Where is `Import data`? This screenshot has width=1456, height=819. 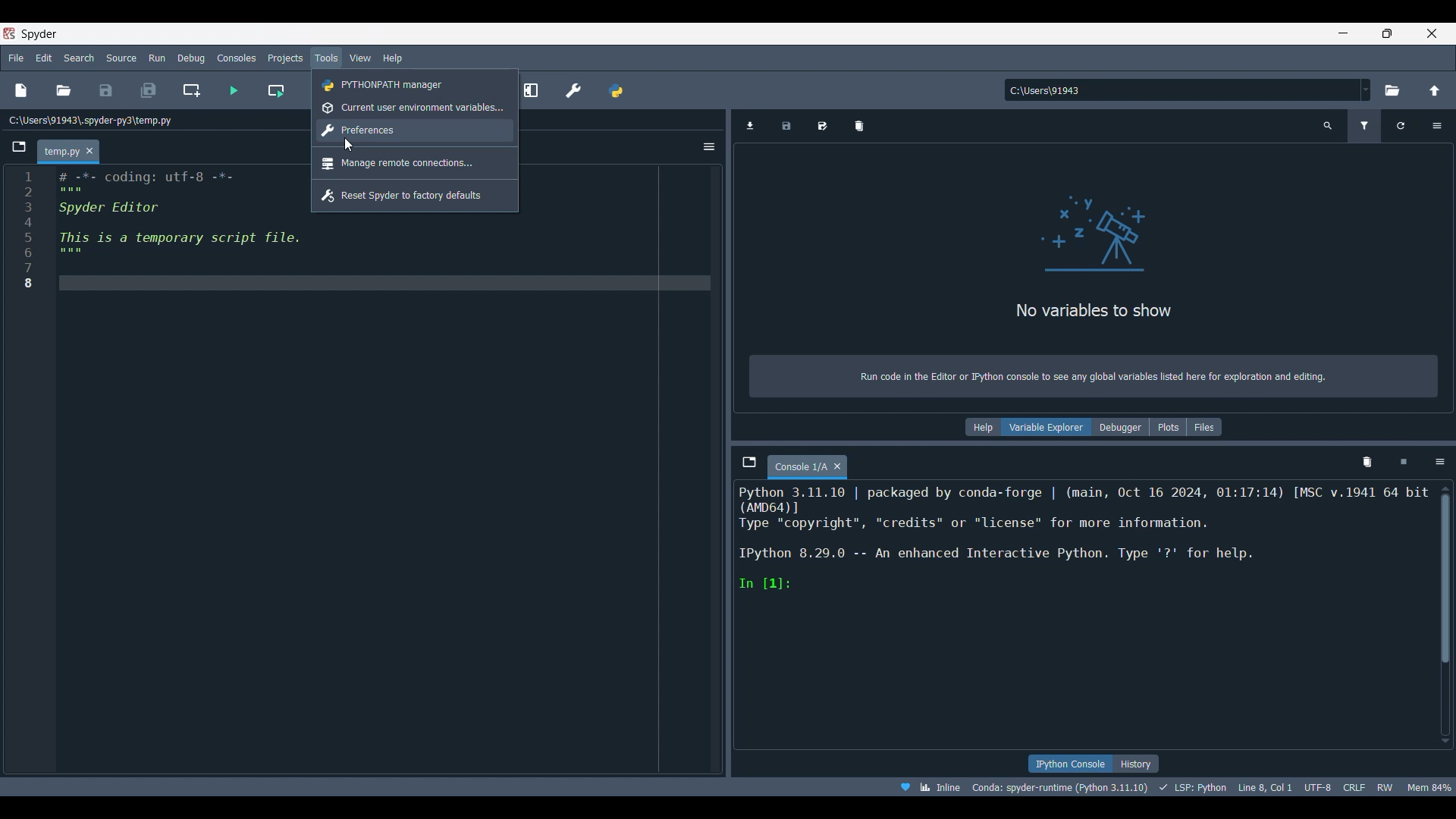
Import data is located at coordinates (750, 126).